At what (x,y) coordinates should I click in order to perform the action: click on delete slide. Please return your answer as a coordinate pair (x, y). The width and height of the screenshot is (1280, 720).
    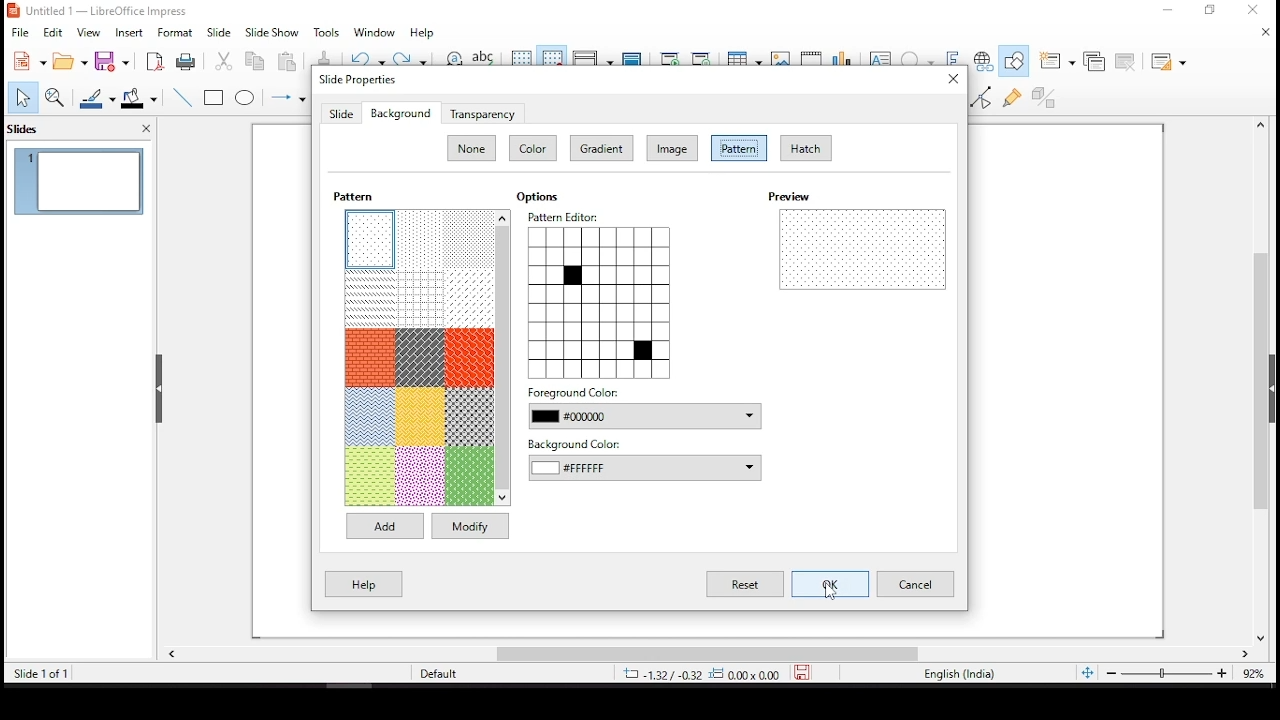
    Looking at the image, I should click on (1123, 60).